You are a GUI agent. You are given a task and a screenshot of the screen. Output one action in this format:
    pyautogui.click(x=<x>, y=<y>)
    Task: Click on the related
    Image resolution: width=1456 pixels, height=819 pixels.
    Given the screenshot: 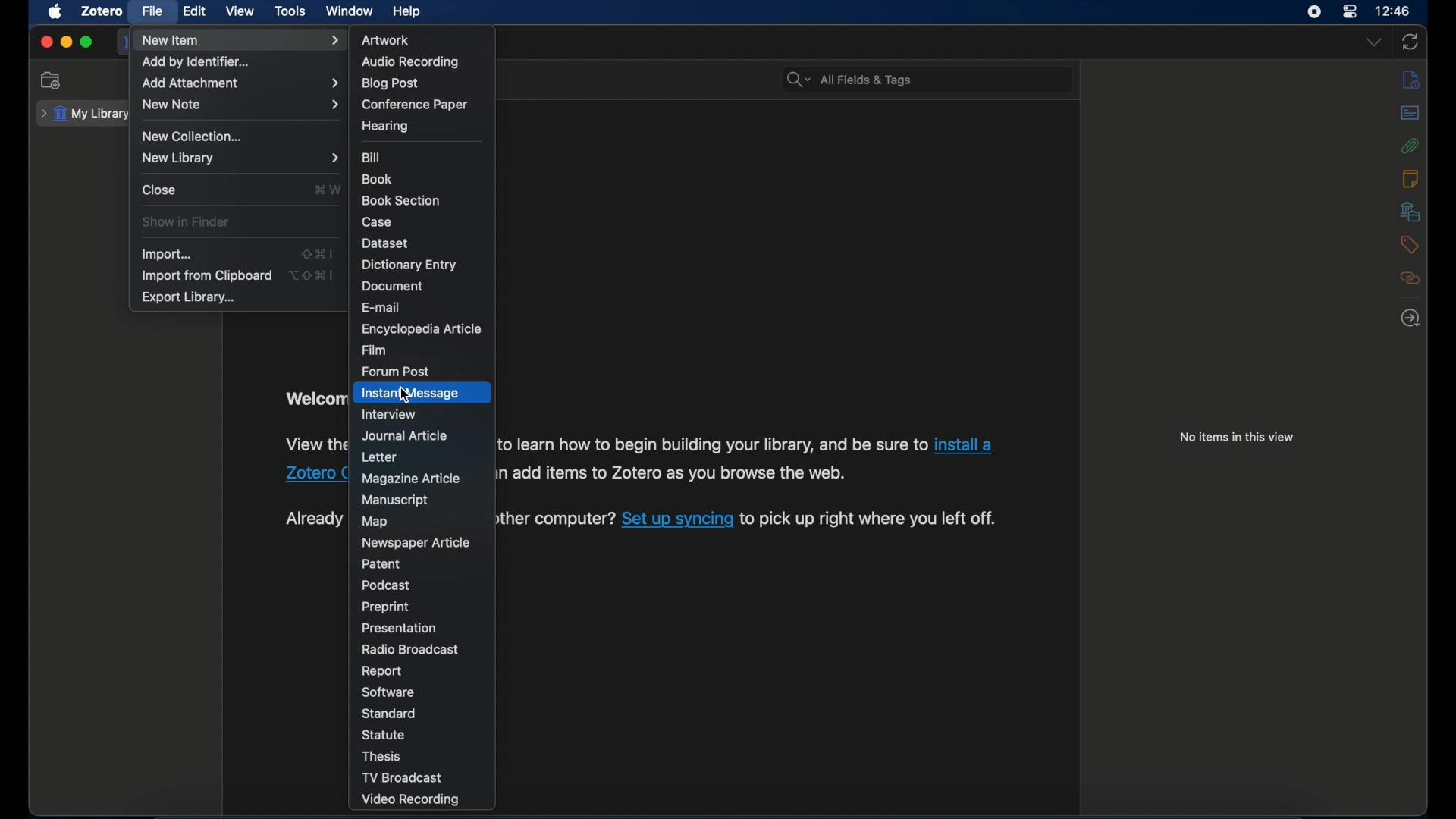 What is the action you would take?
    pyautogui.click(x=1411, y=278)
    